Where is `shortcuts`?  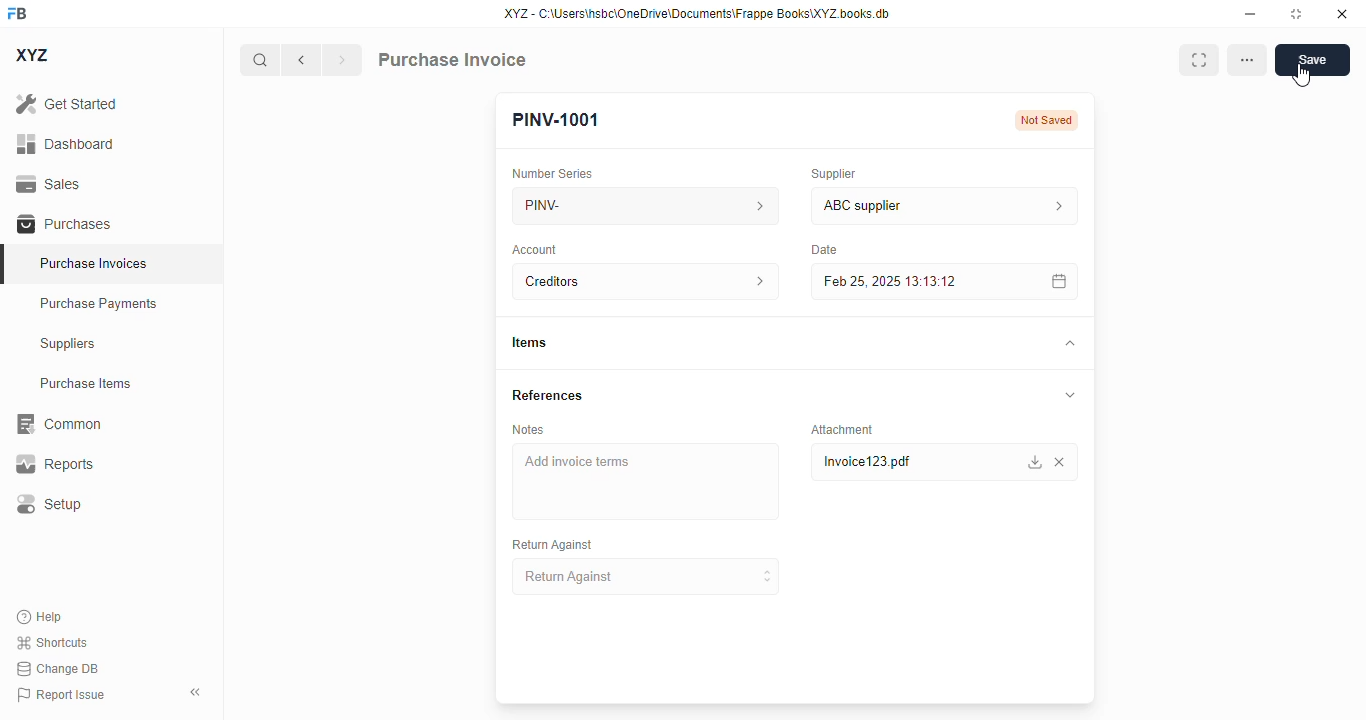 shortcuts is located at coordinates (53, 642).